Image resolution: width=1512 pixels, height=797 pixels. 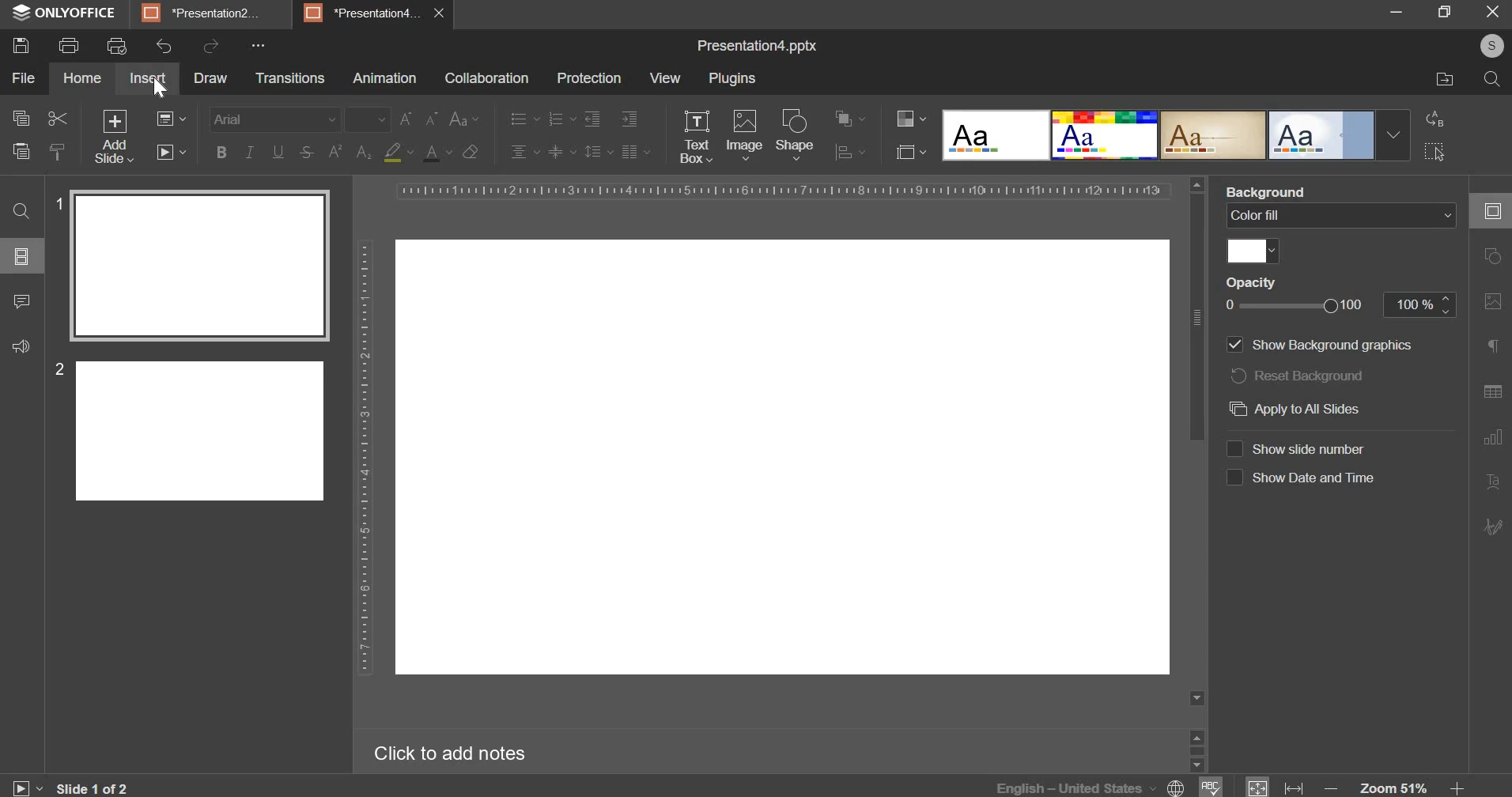 I want to click on print preview, so click(x=119, y=46).